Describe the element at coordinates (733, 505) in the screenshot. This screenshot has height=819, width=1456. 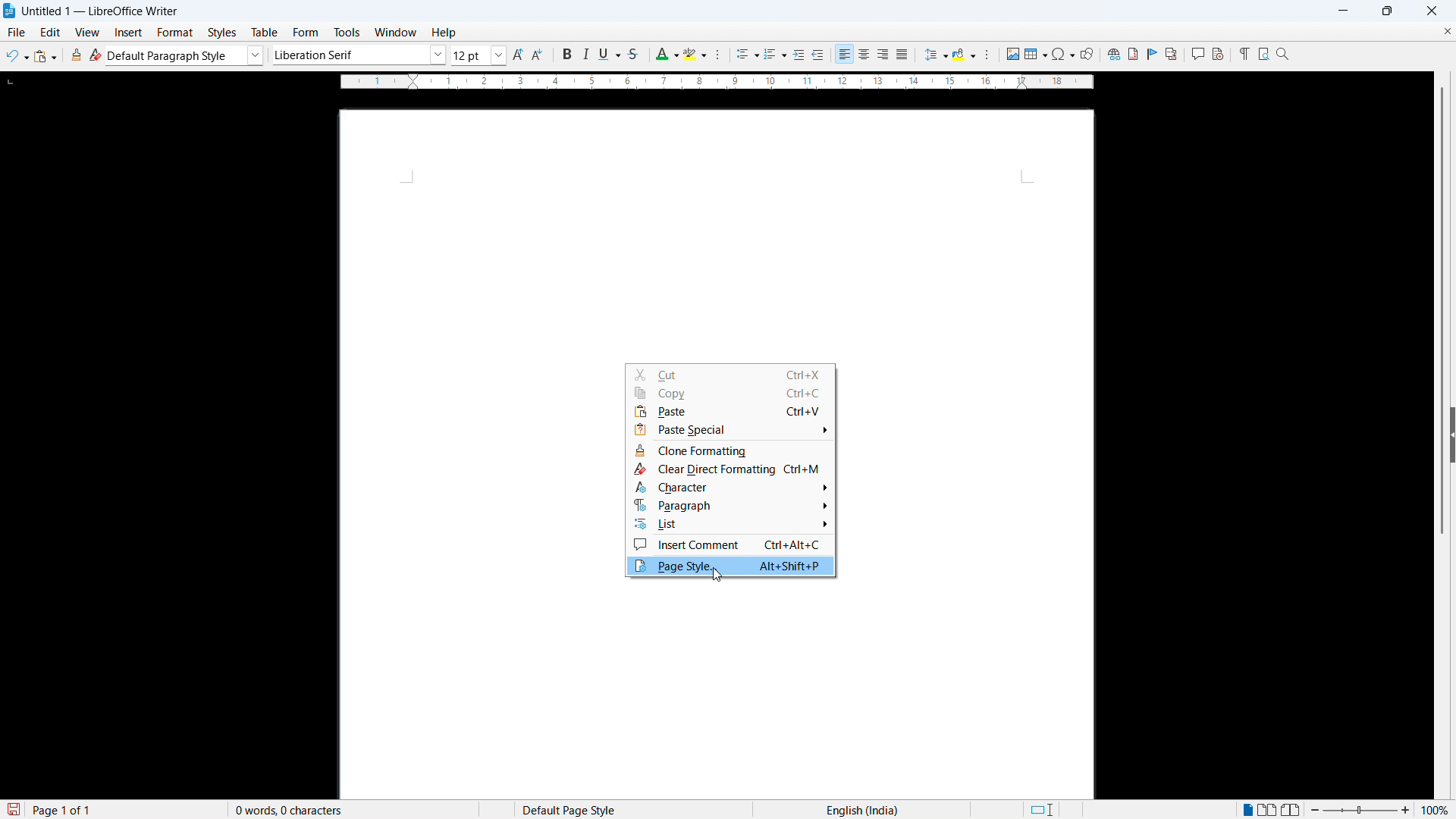
I see `Paragraph ` at that location.